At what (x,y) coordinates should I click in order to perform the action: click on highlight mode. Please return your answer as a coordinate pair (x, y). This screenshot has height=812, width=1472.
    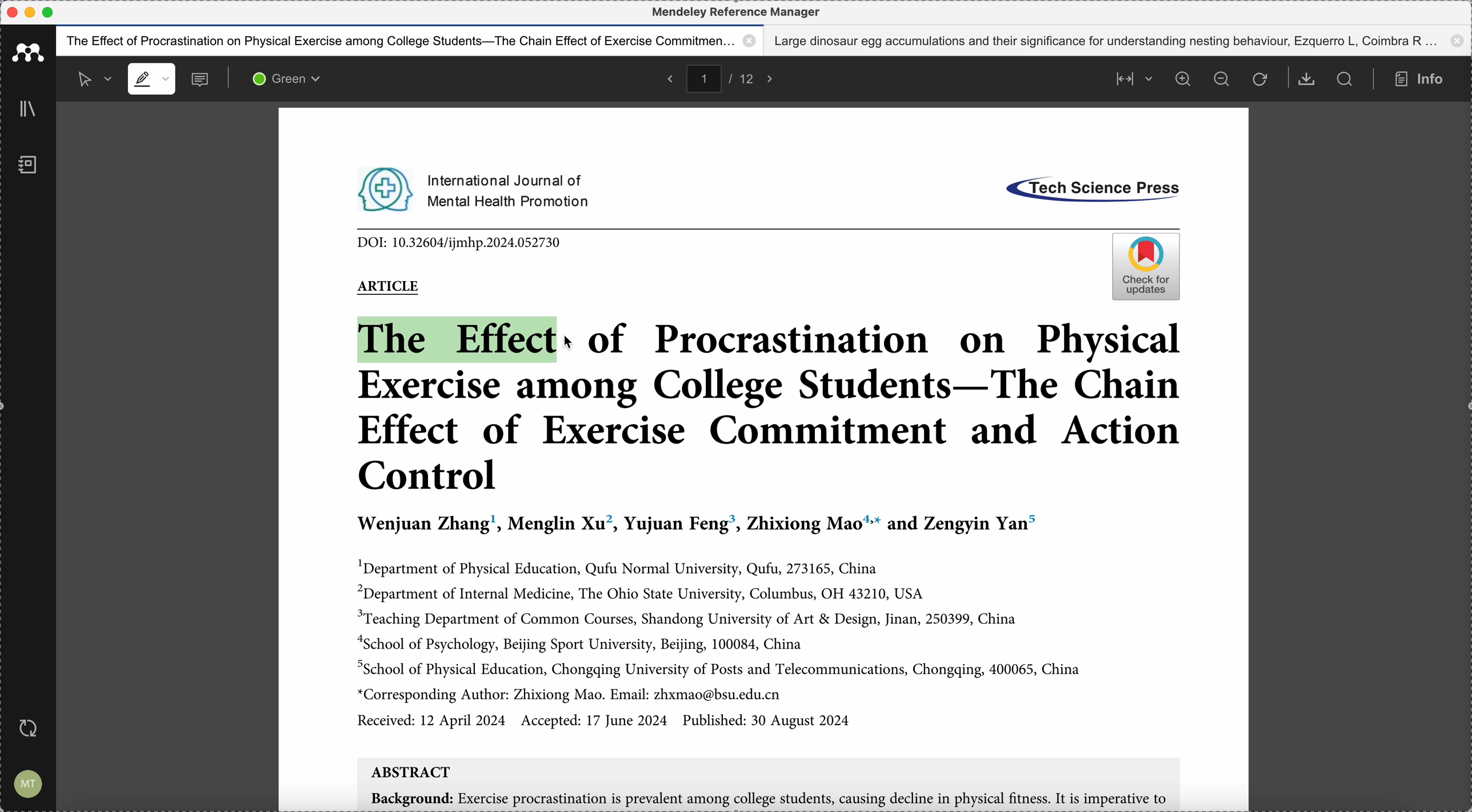
    Looking at the image, I should click on (151, 79).